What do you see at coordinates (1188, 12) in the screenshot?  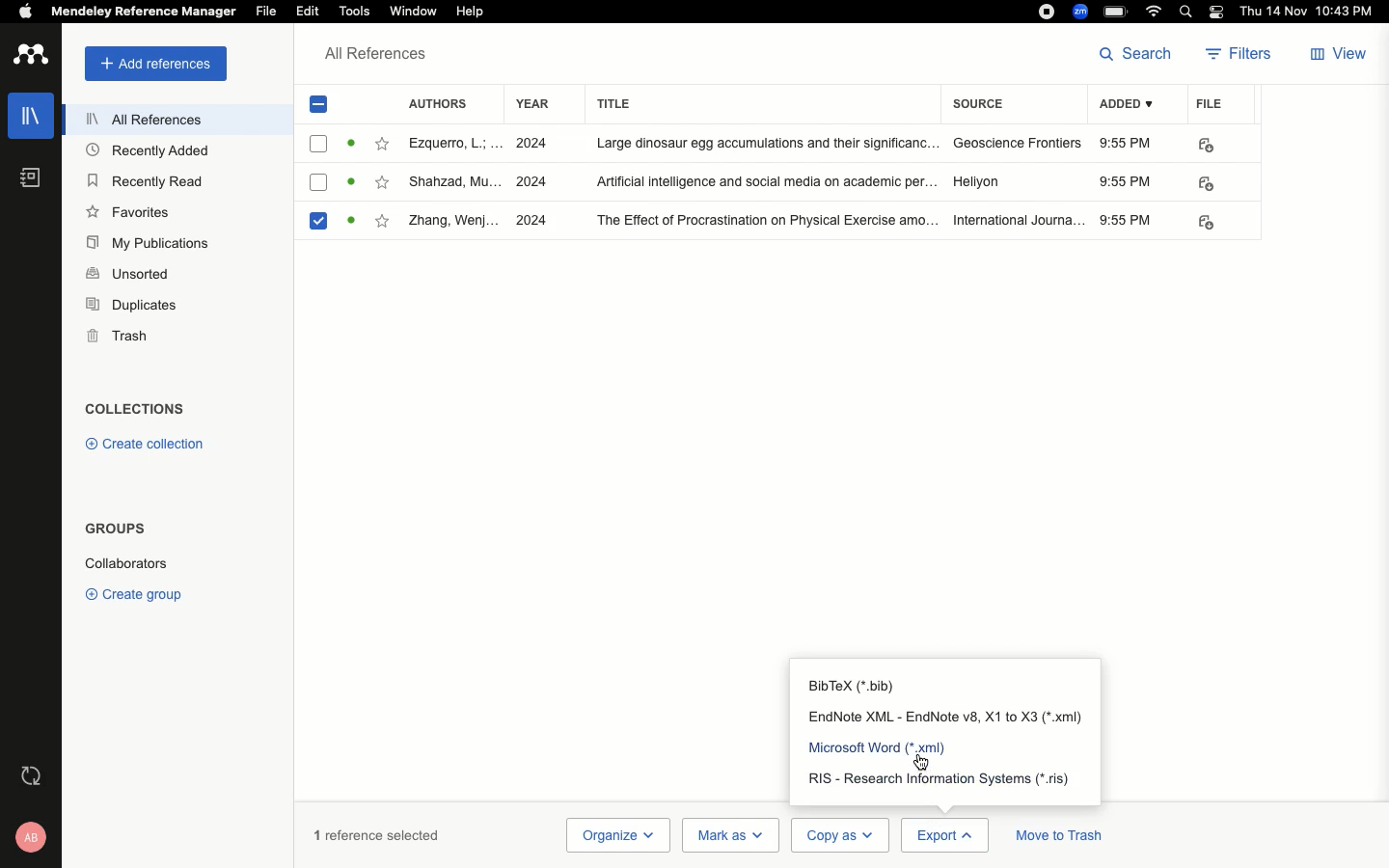 I see `Search` at bounding box center [1188, 12].